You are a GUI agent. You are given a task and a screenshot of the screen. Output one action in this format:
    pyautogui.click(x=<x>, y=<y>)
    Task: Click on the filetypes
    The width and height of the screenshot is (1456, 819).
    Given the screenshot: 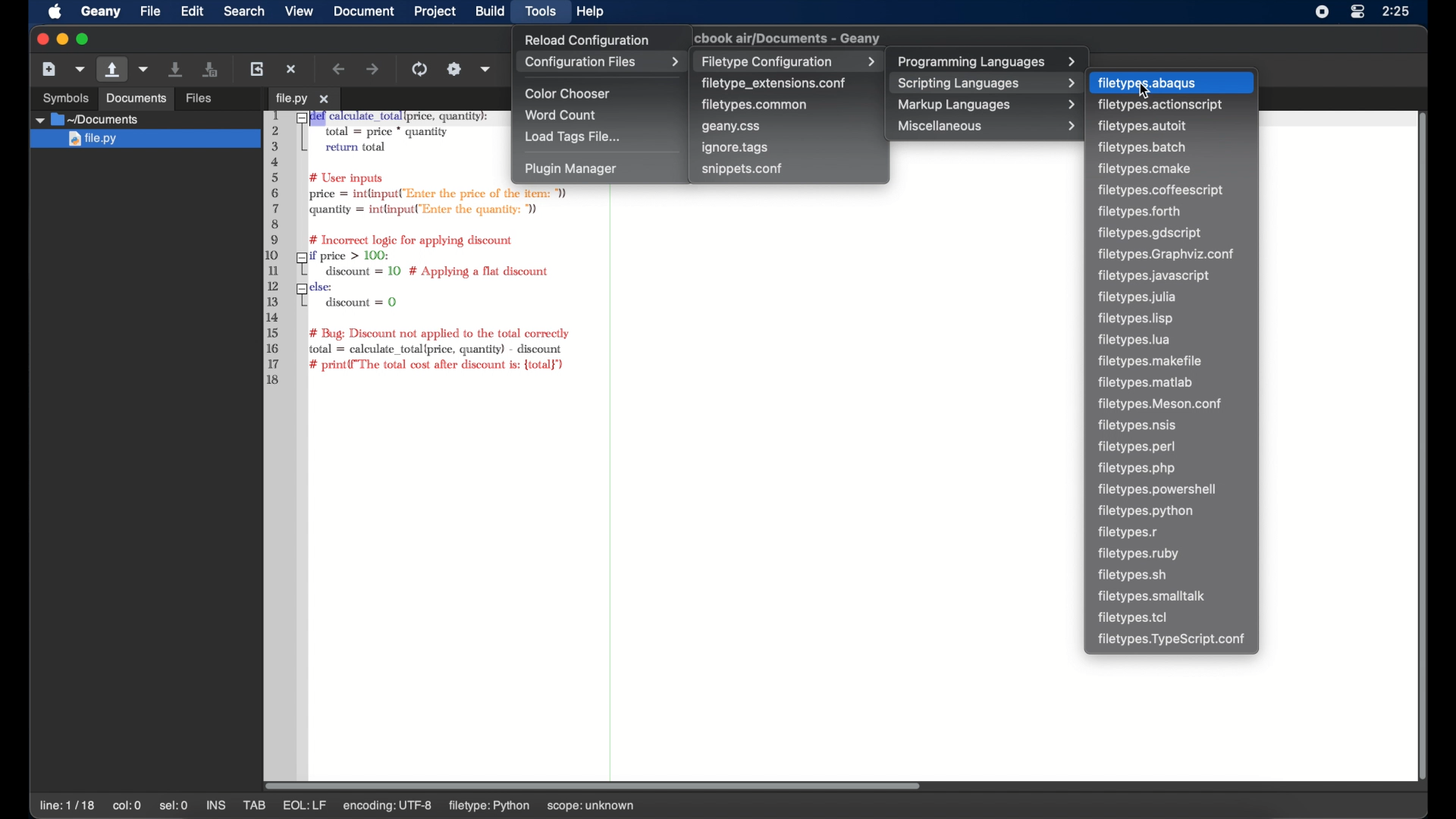 What is the action you would take?
    pyautogui.click(x=1160, y=190)
    